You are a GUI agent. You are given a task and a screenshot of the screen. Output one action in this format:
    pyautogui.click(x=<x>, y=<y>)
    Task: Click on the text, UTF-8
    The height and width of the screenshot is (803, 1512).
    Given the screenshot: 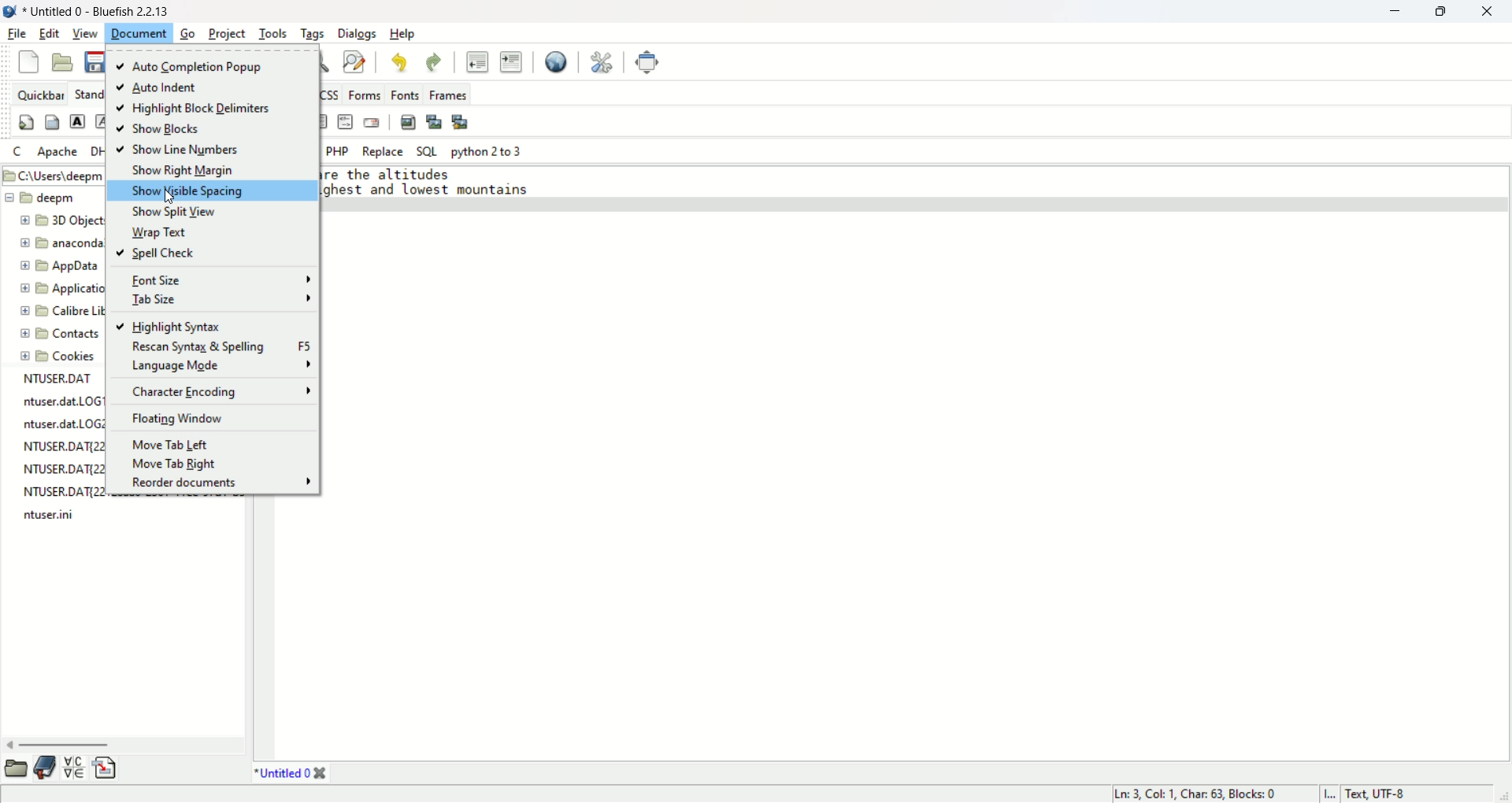 What is the action you would take?
    pyautogui.click(x=1386, y=794)
    